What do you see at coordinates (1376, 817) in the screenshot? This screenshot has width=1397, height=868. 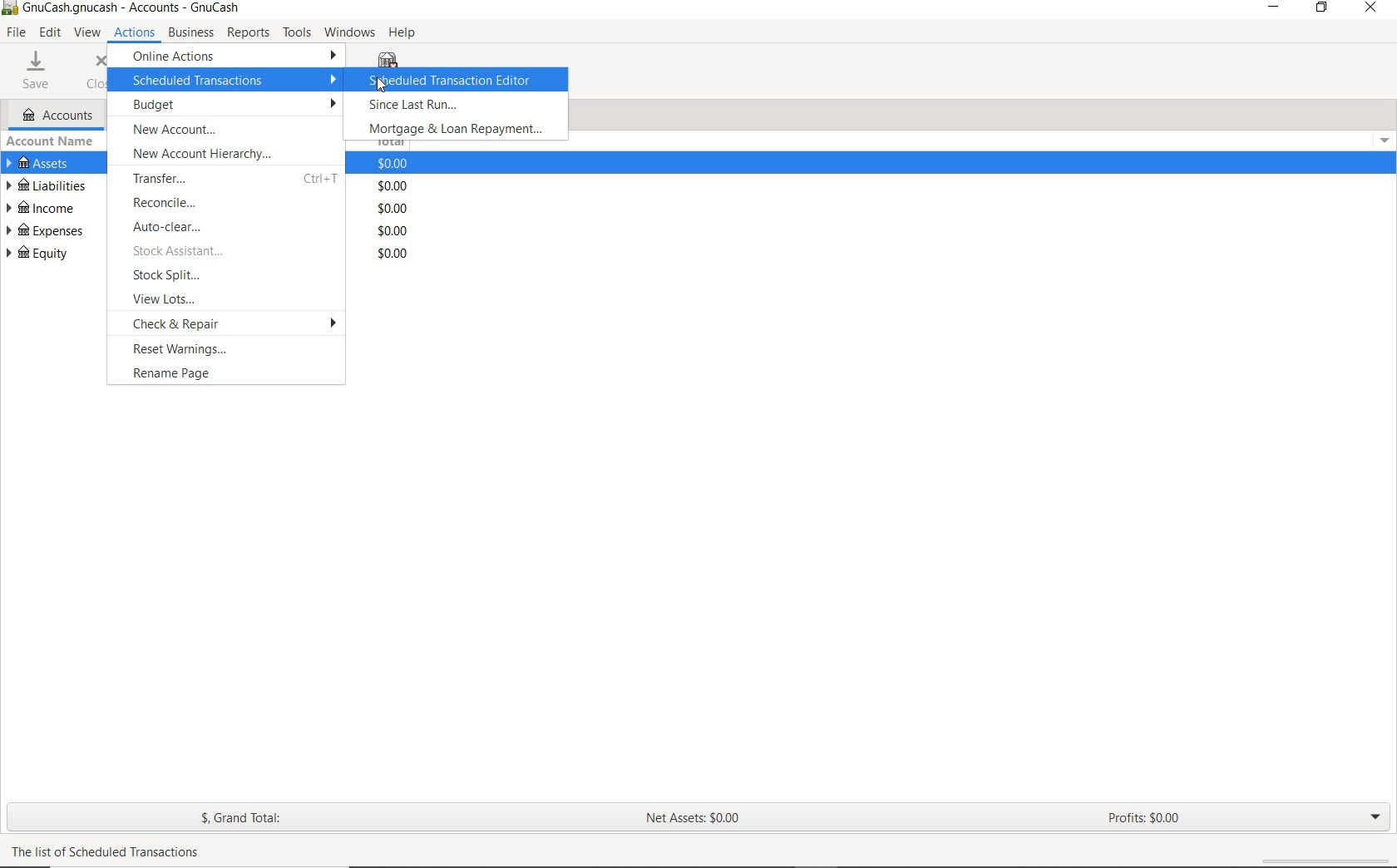 I see `EXPAND` at bounding box center [1376, 817].